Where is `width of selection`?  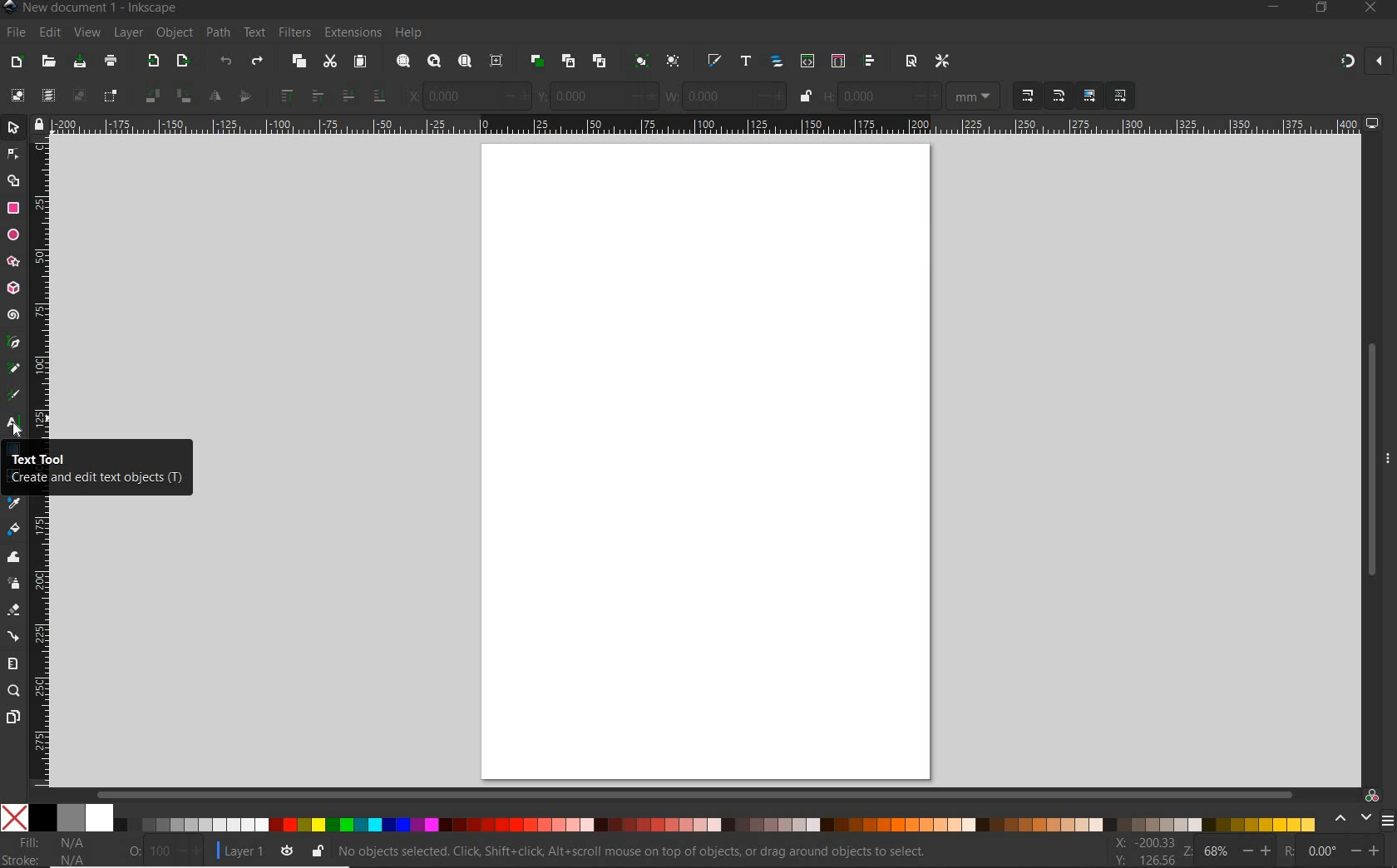 width of selection is located at coordinates (725, 96).